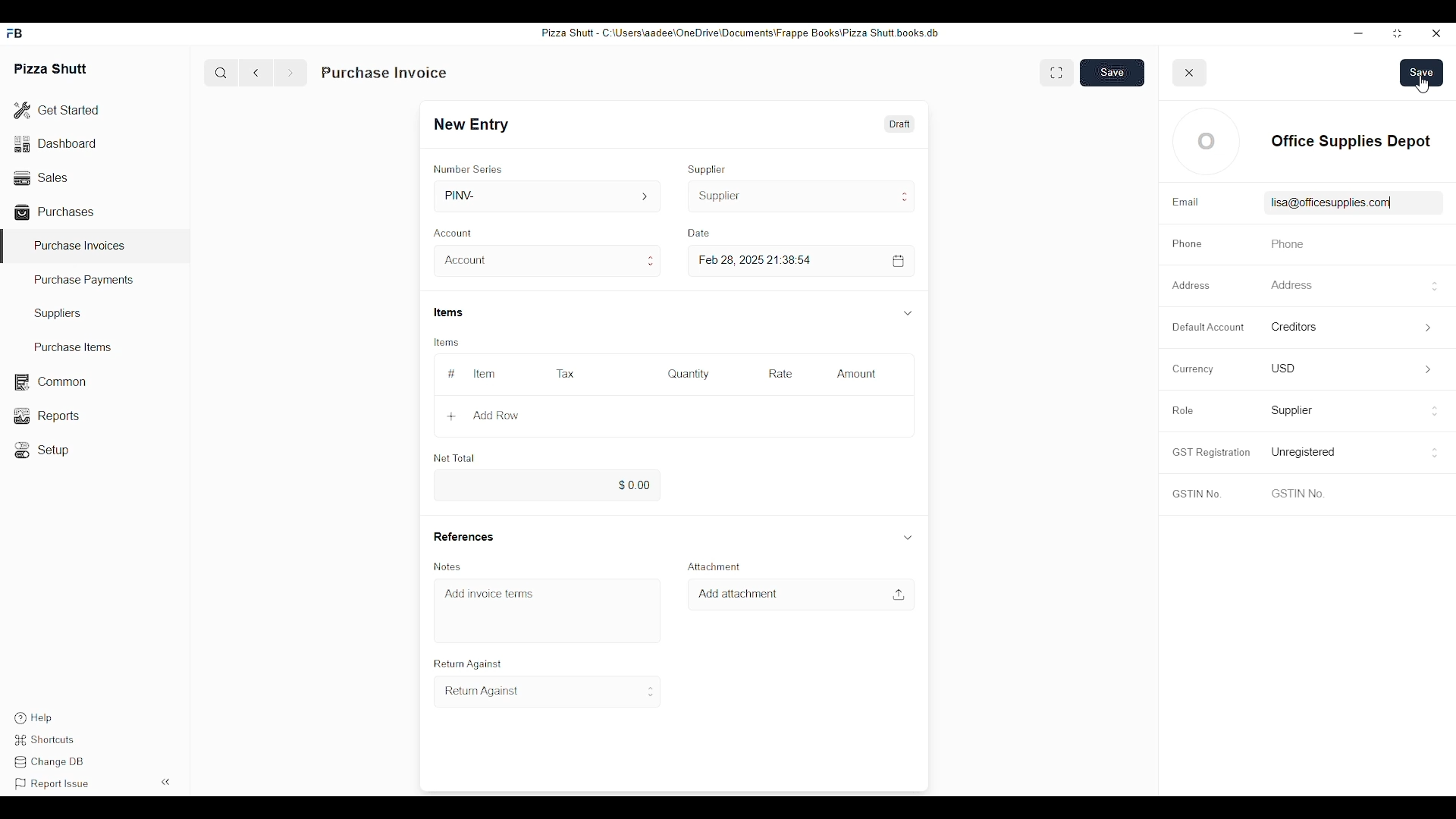 Image resolution: width=1456 pixels, height=819 pixels. What do you see at coordinates (711, 566) in the screenshot?
I see `Attachment` at bounding box center [711, 566].